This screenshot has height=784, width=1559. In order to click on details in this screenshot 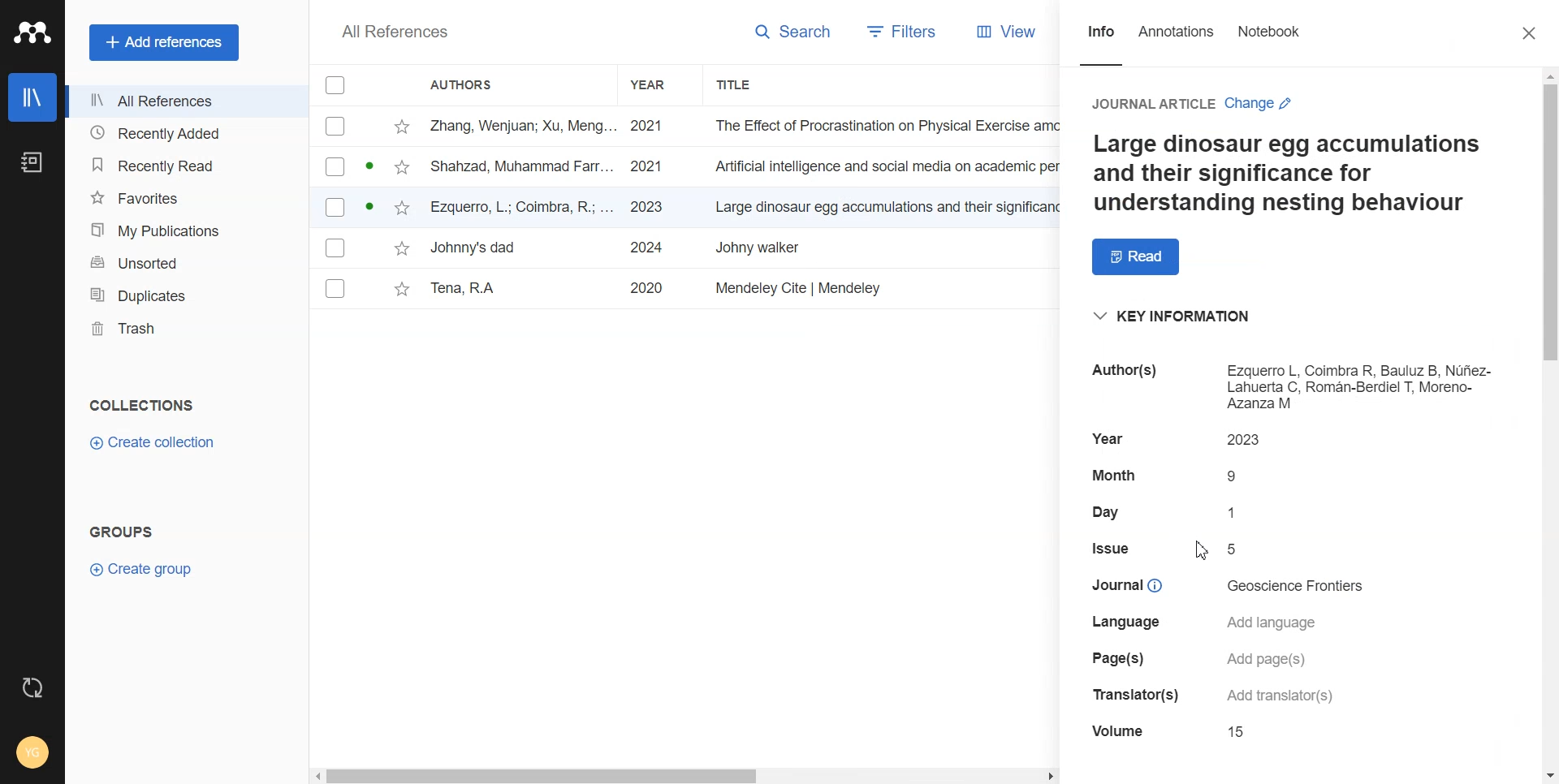, I will do `click(1114, 474)`.